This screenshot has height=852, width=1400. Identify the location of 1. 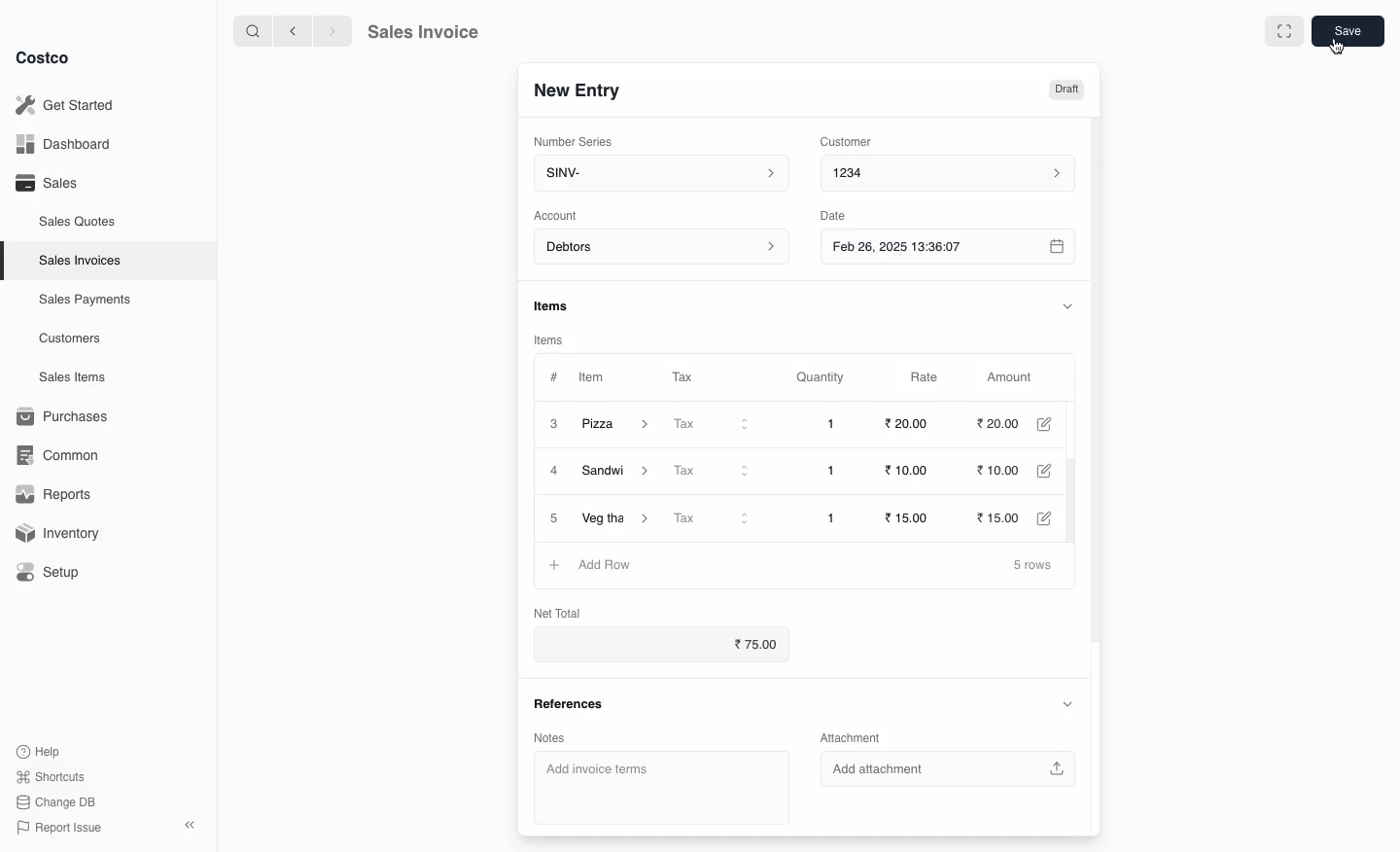
(834, 516).